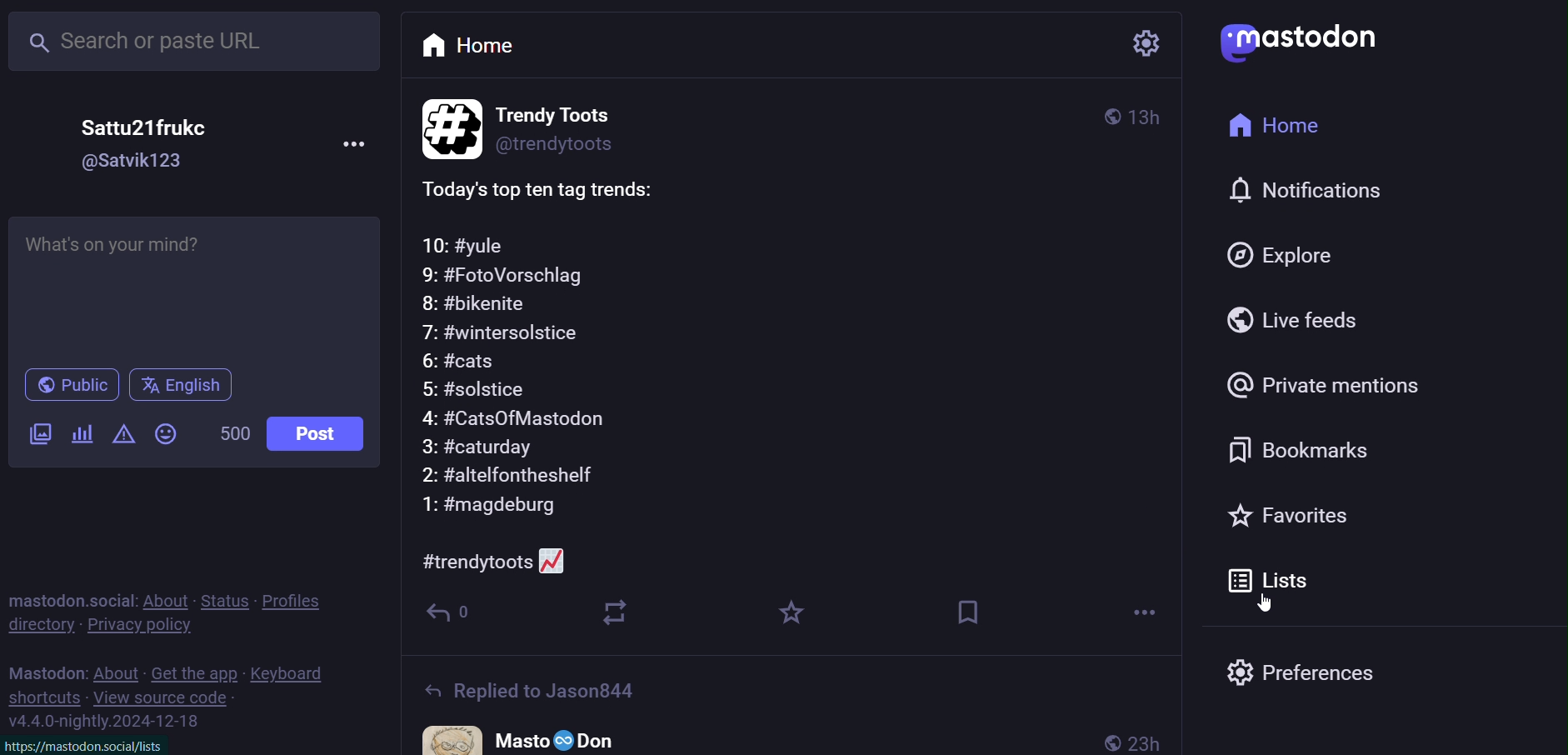 This screenshot has width=1568, height=755. Describe the element at coordinates (194, 284) in the screenshot. I see `Whats on your mind` at that location.